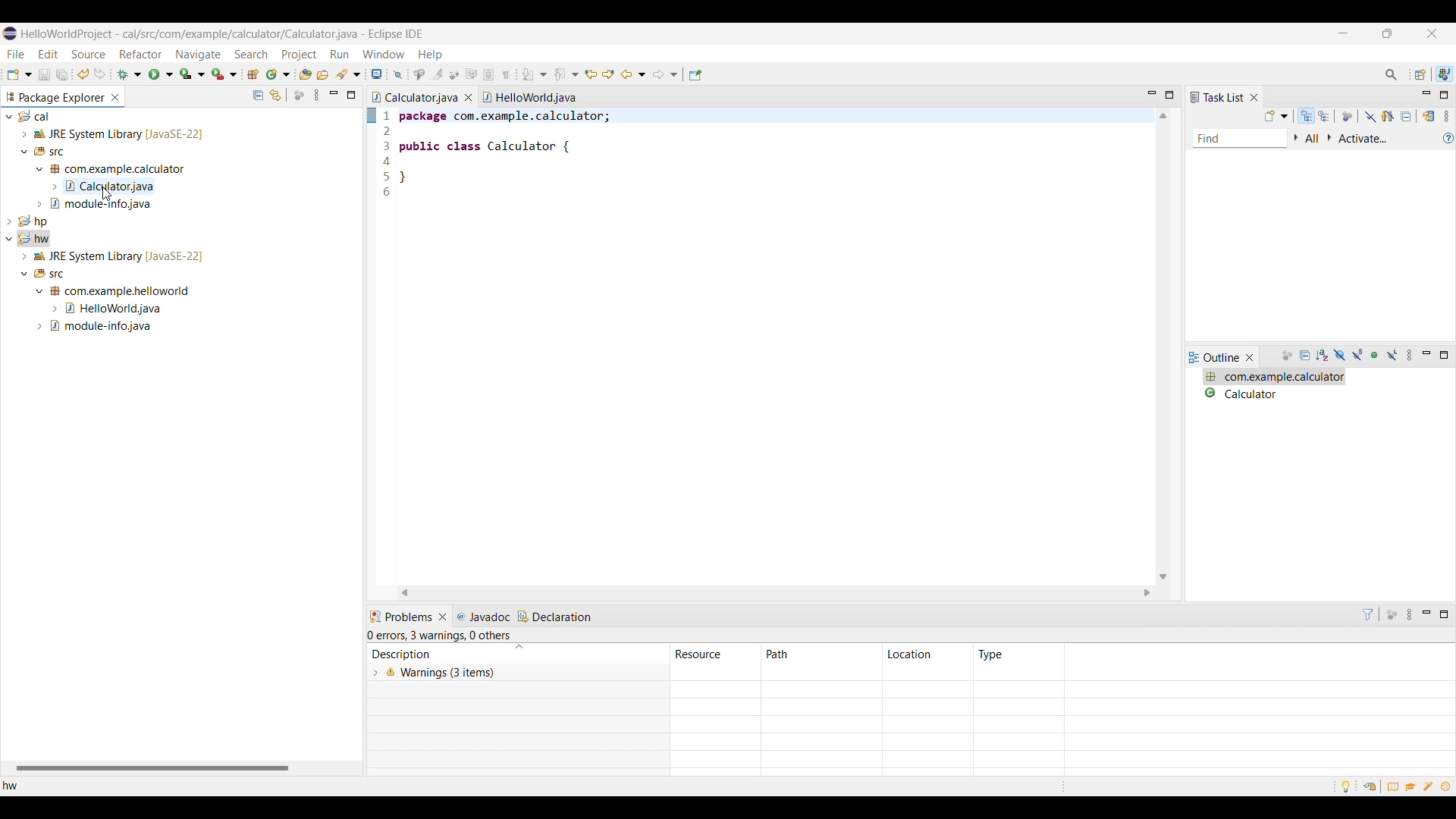 This screenshot has height=819, width=1456. Describe the element at coordinates (1274, 393) in the screenshot. I see `calculator` at that location.